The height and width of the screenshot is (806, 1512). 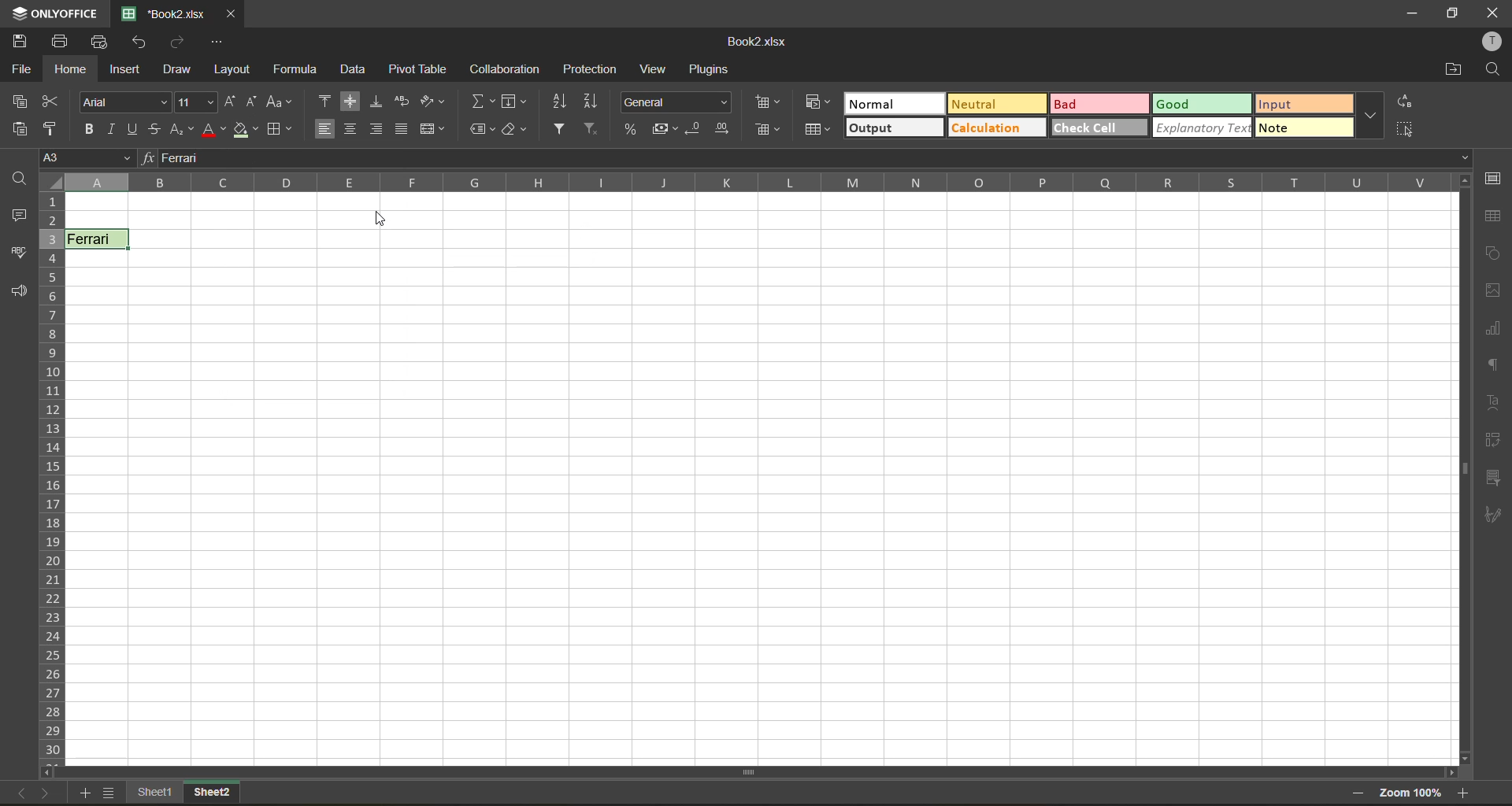 What do you see at coordinates (893, 129) in the screenshot?
I see `output` at bounding box center [893, 129].